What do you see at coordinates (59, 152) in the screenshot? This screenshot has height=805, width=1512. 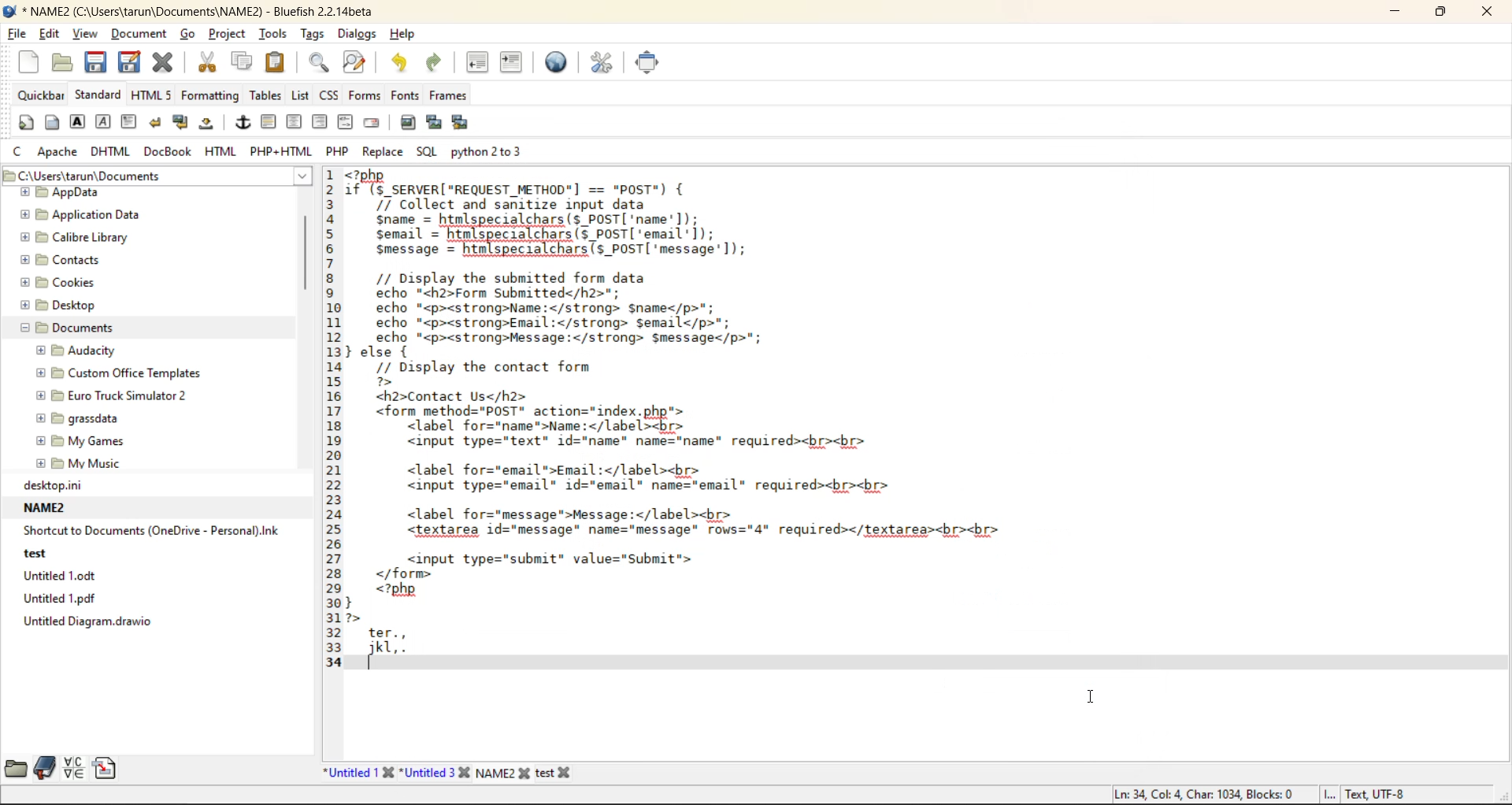 I see `apache` at bounding box center [59, 152].